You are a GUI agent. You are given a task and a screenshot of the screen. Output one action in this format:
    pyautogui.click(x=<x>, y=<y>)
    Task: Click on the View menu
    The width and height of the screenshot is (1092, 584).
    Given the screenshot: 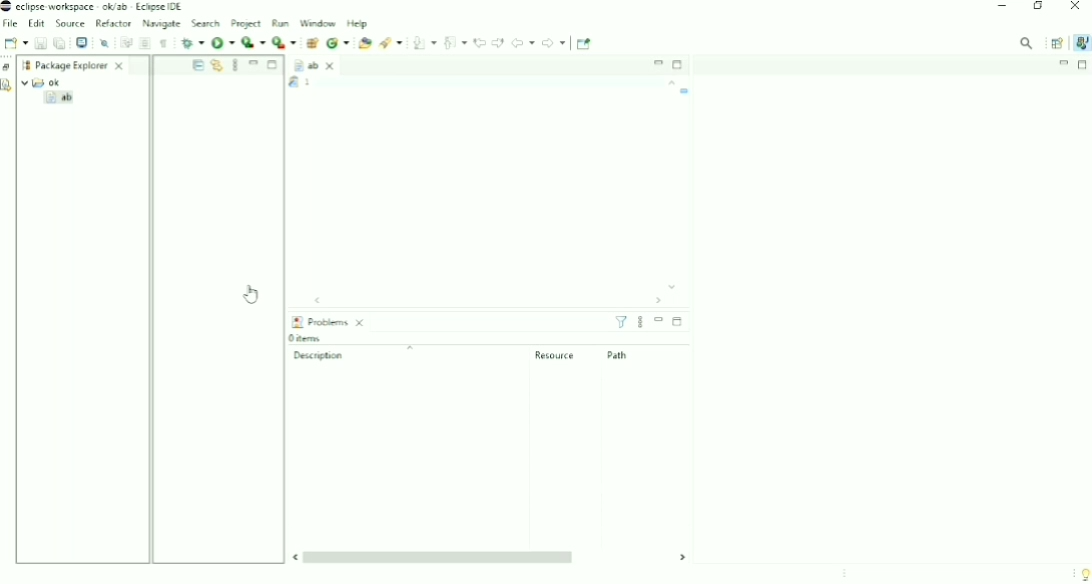 What is the action you would take?
    pyautogui.click(x=640, y=323)
    